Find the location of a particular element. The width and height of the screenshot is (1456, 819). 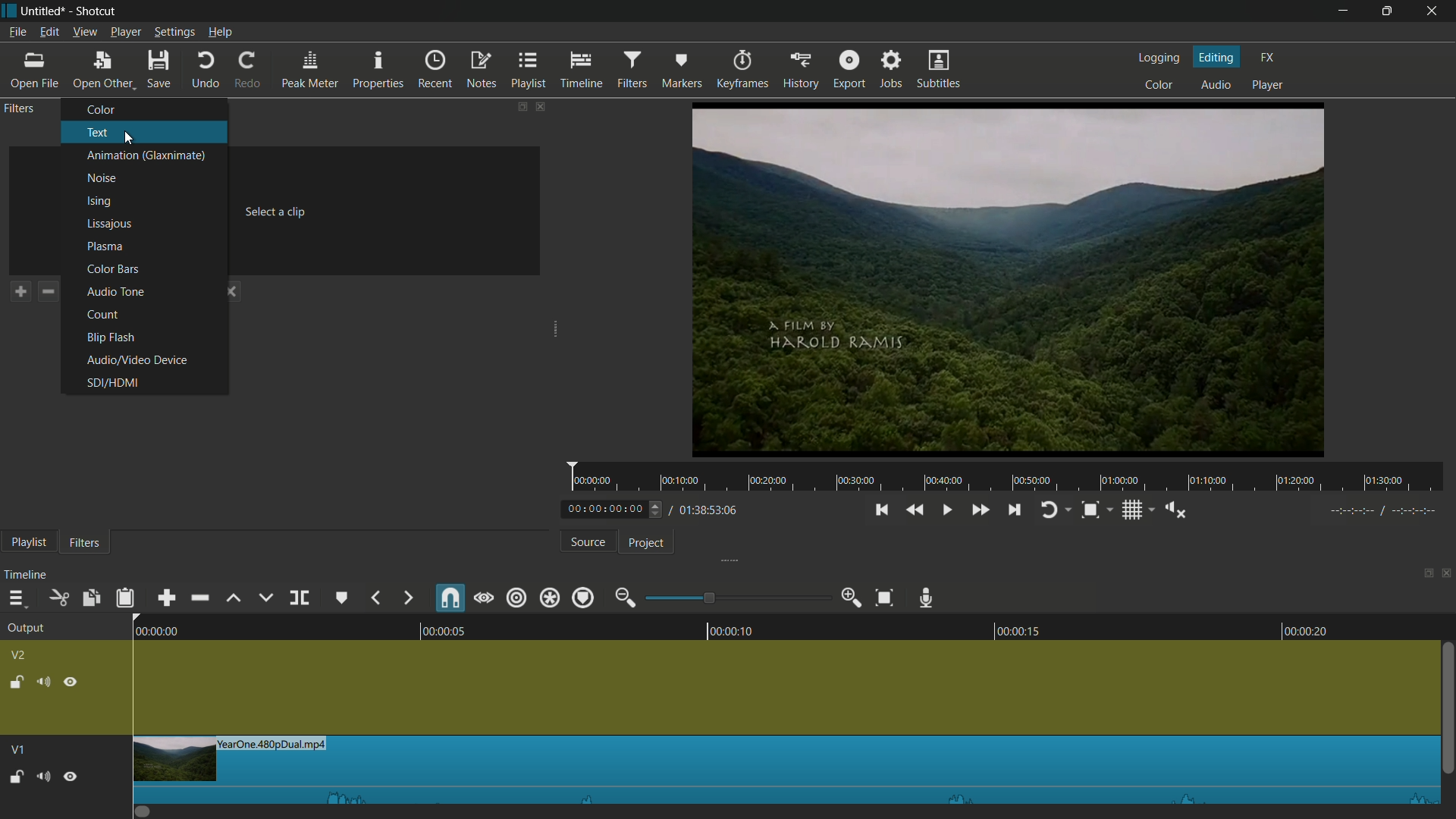

timeline menu is located at coordinates (15, 598).